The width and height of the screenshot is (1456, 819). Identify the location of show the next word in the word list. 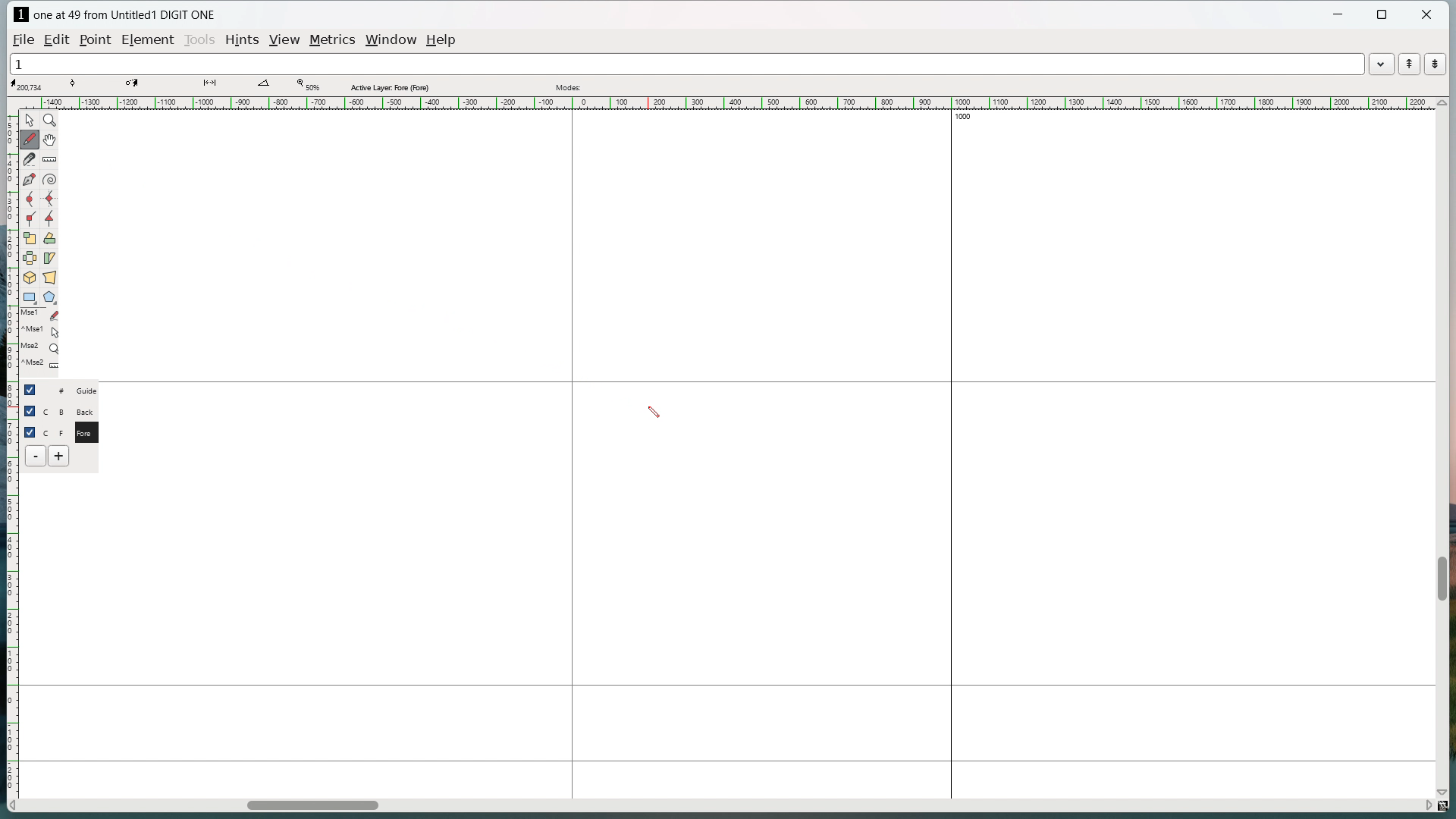
(1436, 64).